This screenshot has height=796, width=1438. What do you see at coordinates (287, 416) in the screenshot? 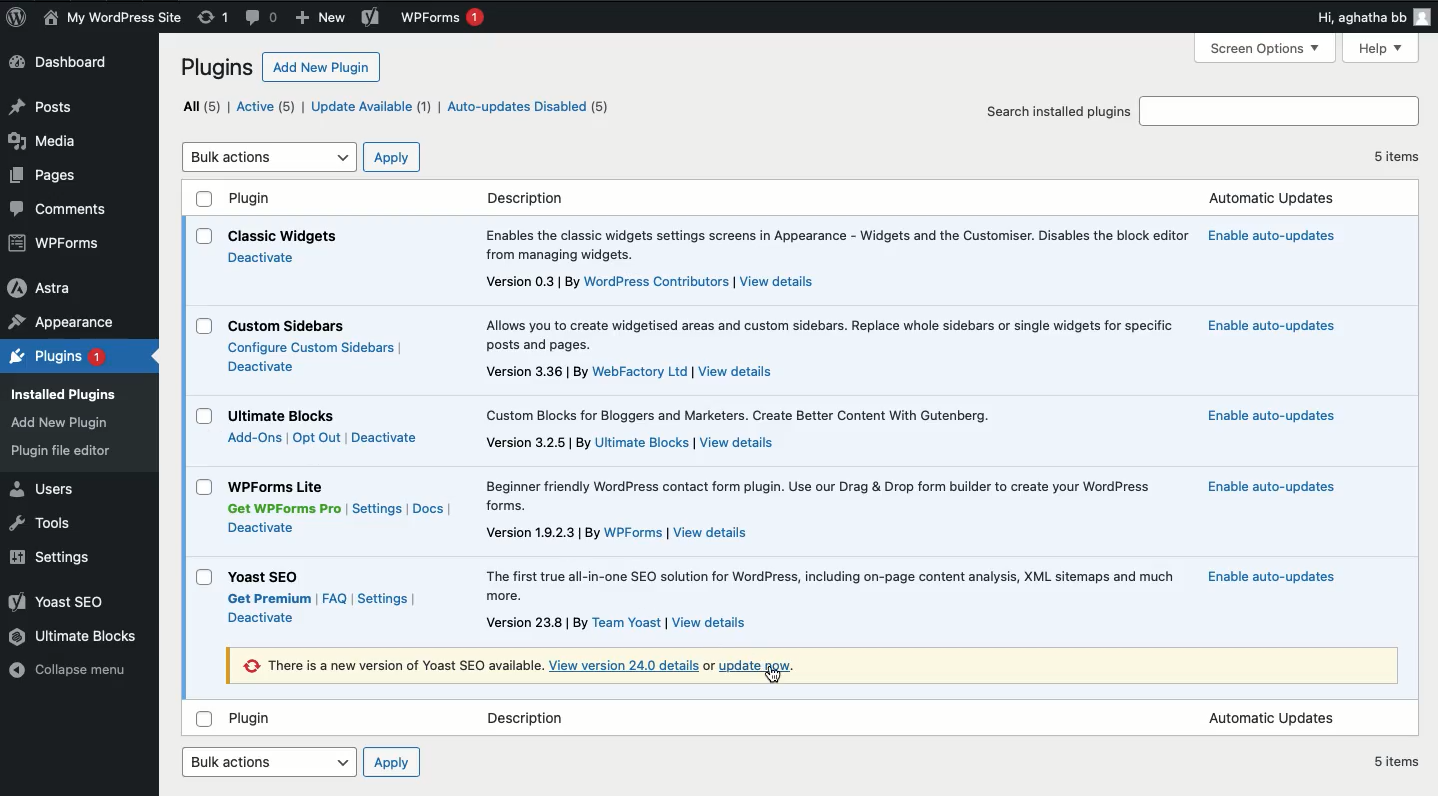
I see `Plugin` at bounding box center [287, 416].